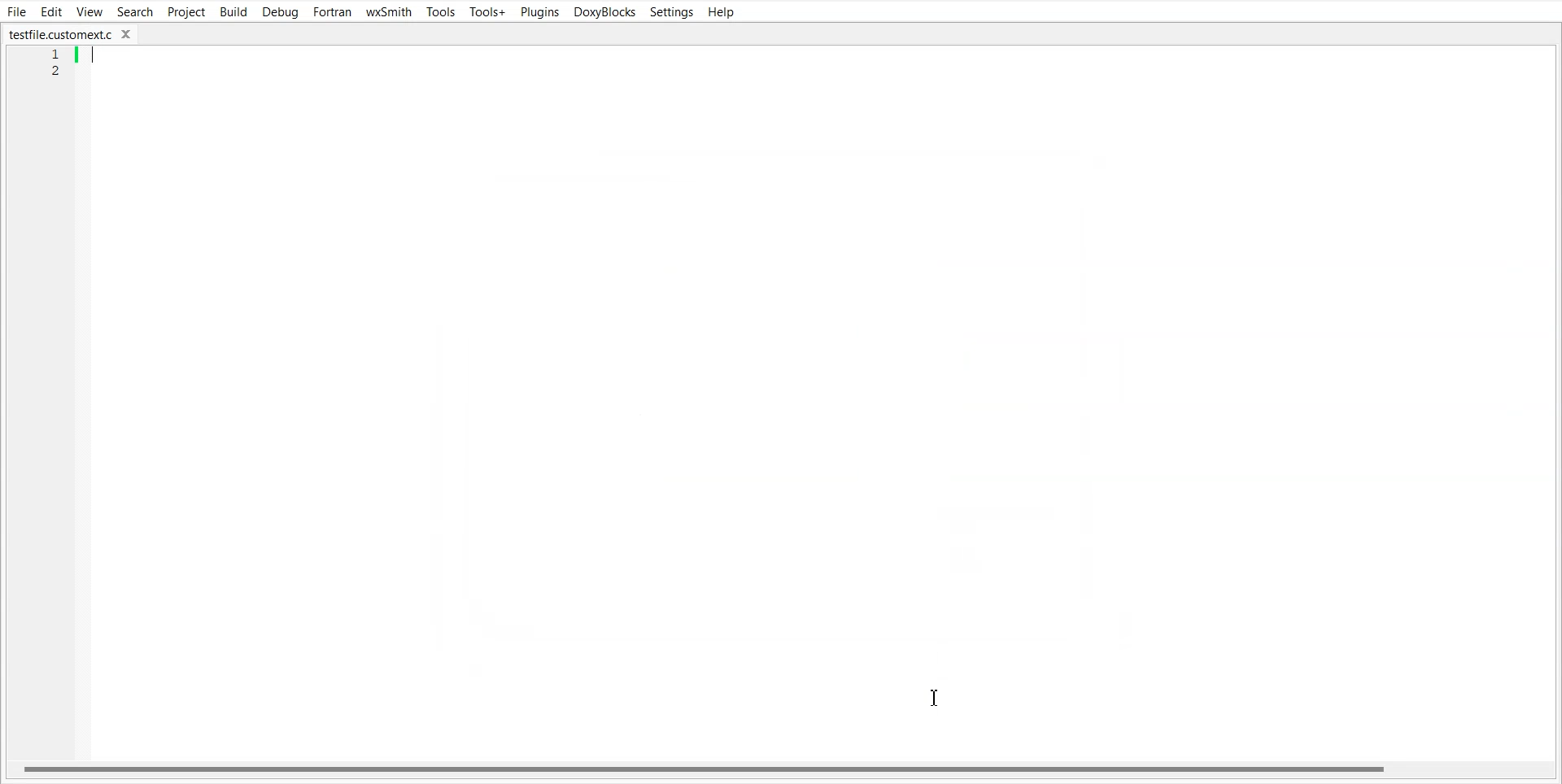 This screenshot has width=1562, height=784. What do you see at coordinates (333, 11) in the screenshot?
I see `Fortran` at bounding box center [333, 11].